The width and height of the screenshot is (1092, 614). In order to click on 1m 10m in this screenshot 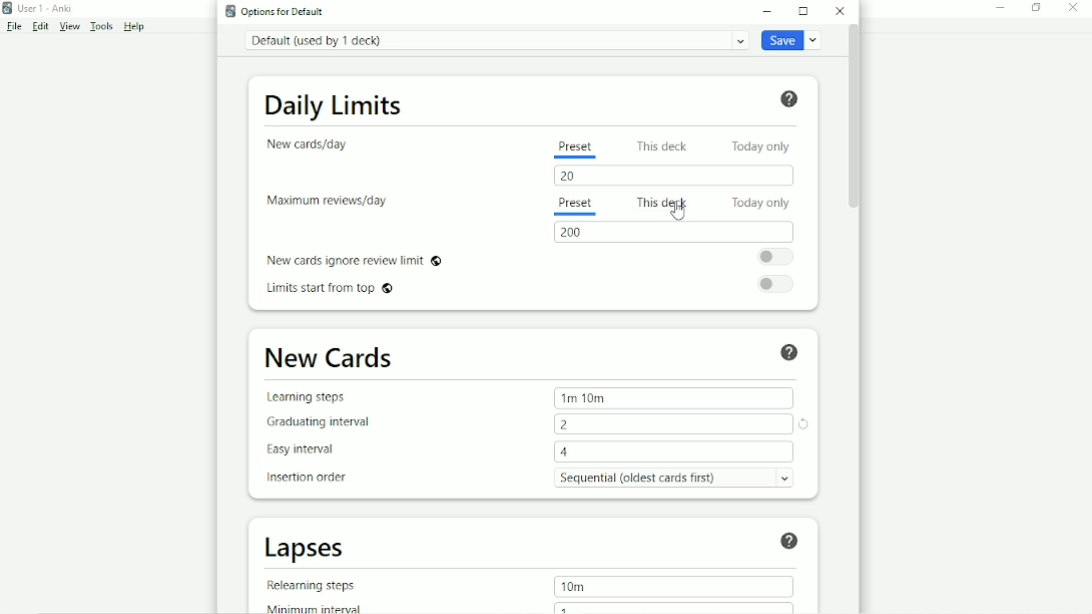, I will do `click(584, 397)`.